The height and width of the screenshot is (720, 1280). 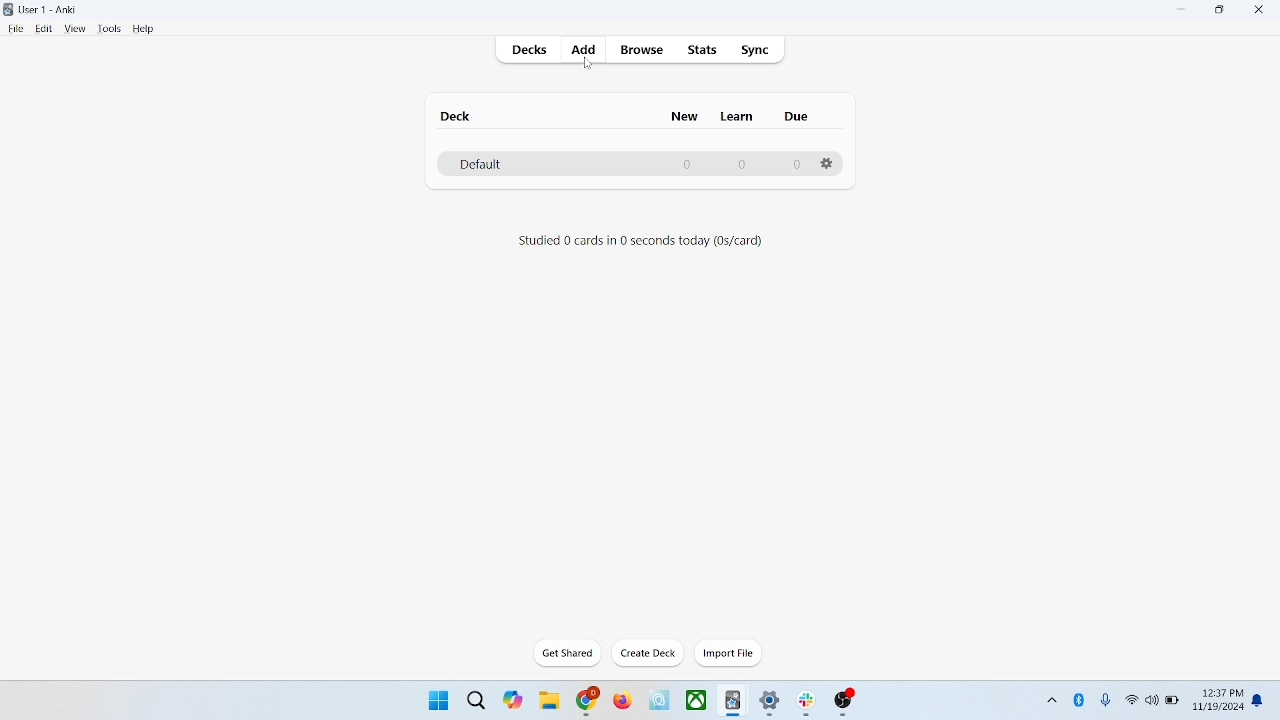 What do you see at coordinates (688, 164) in the screenshot?
I see `0` at bounding box center [688, 164].